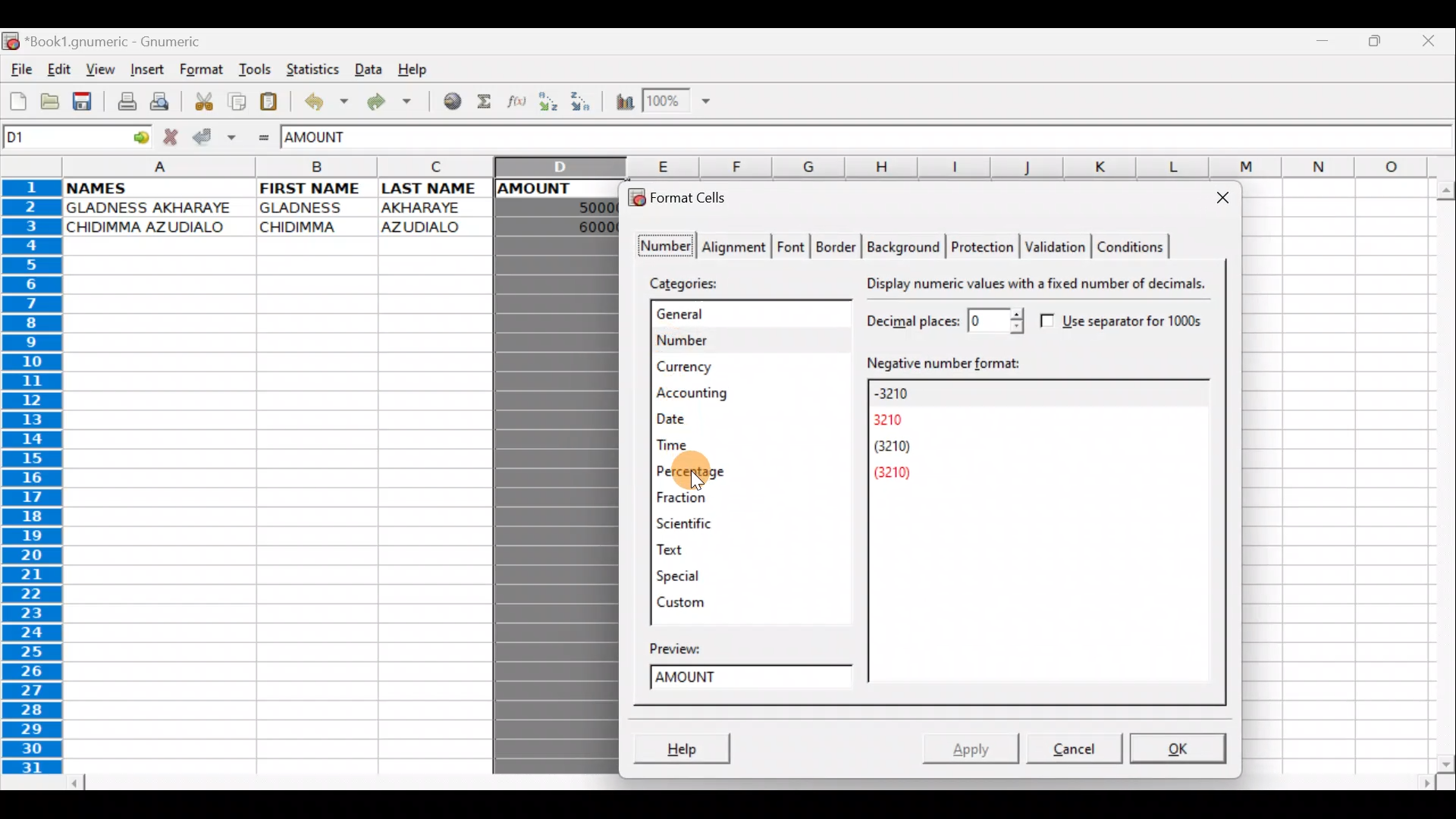  I want to click on Number, so click(661, 246).